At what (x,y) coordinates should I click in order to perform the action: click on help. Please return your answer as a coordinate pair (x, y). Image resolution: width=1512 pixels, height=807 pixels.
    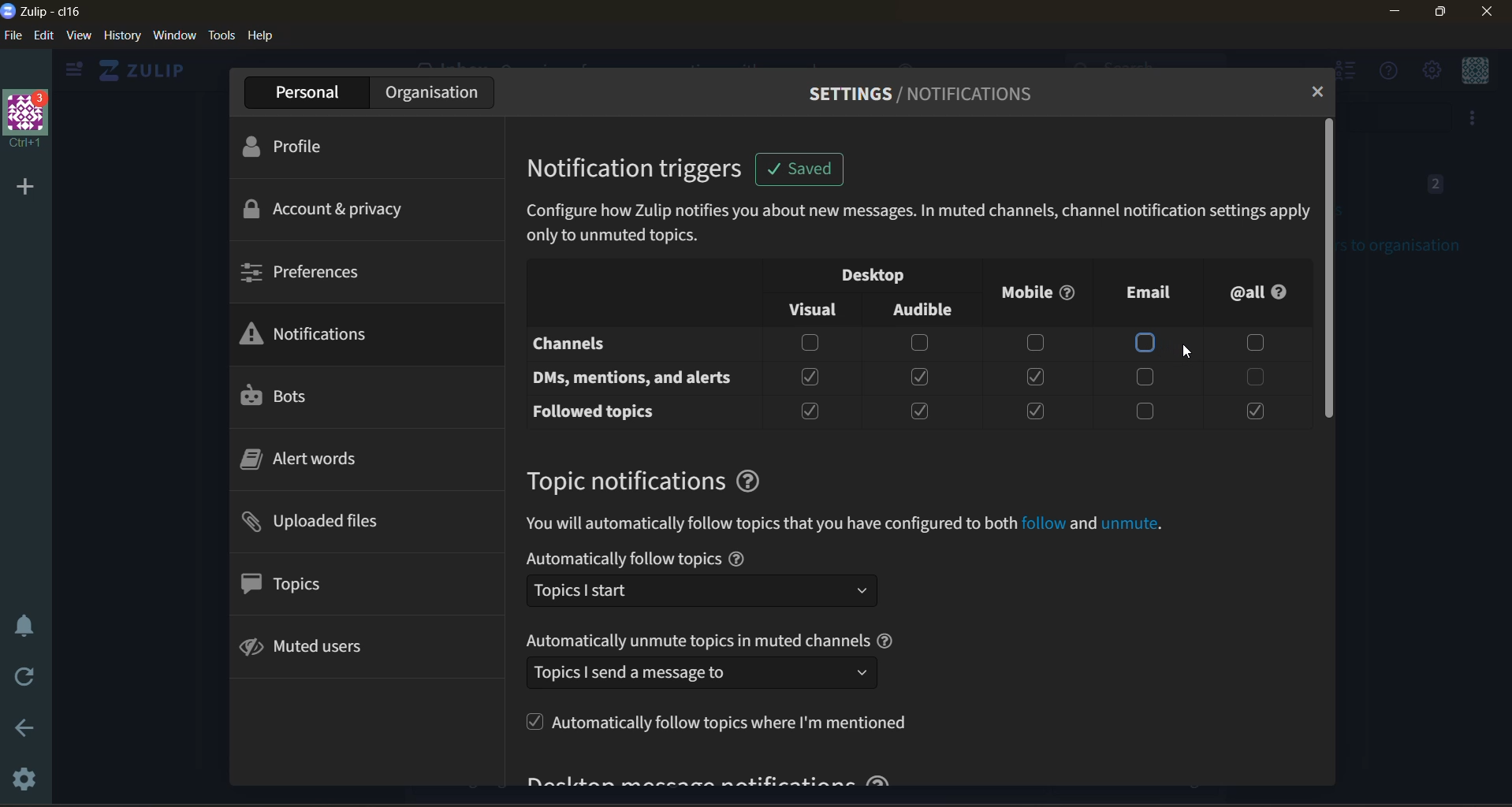
    Looking at the image, I should click on (887, 640).